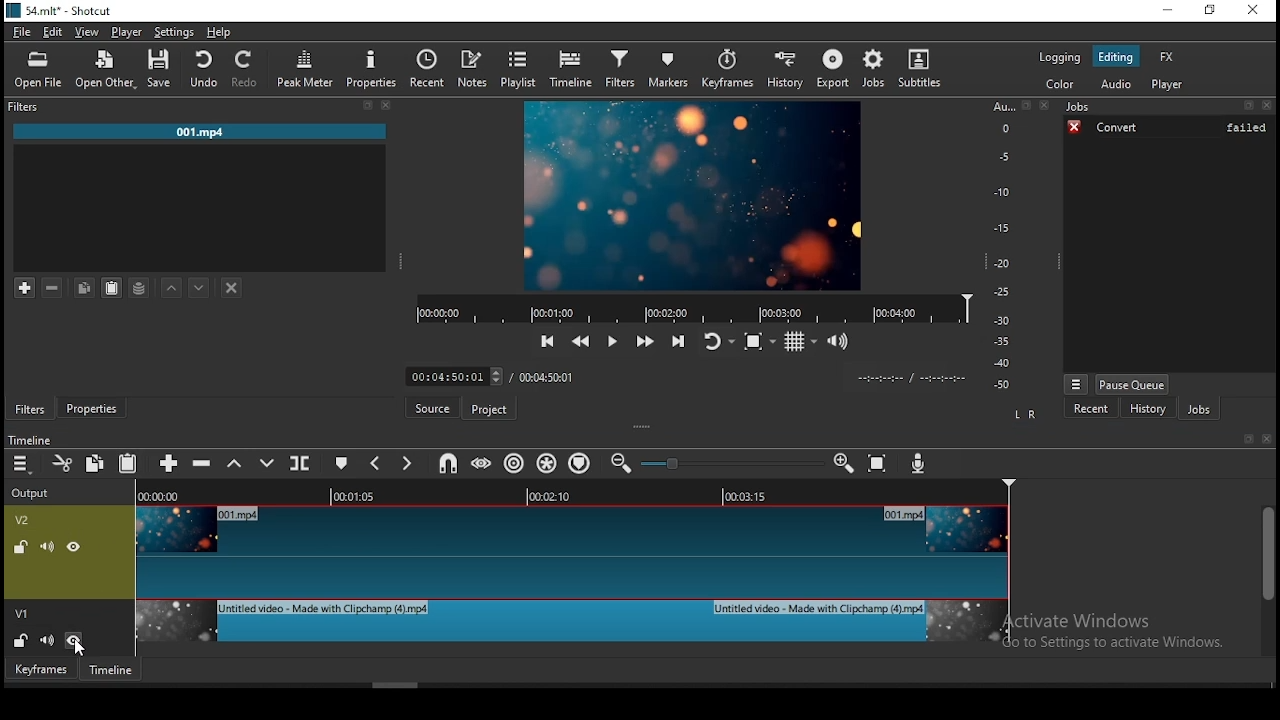 Image resolution: width=1280 pixels, height=720 pixels. I want to click on move filter down, so click(199, 285).